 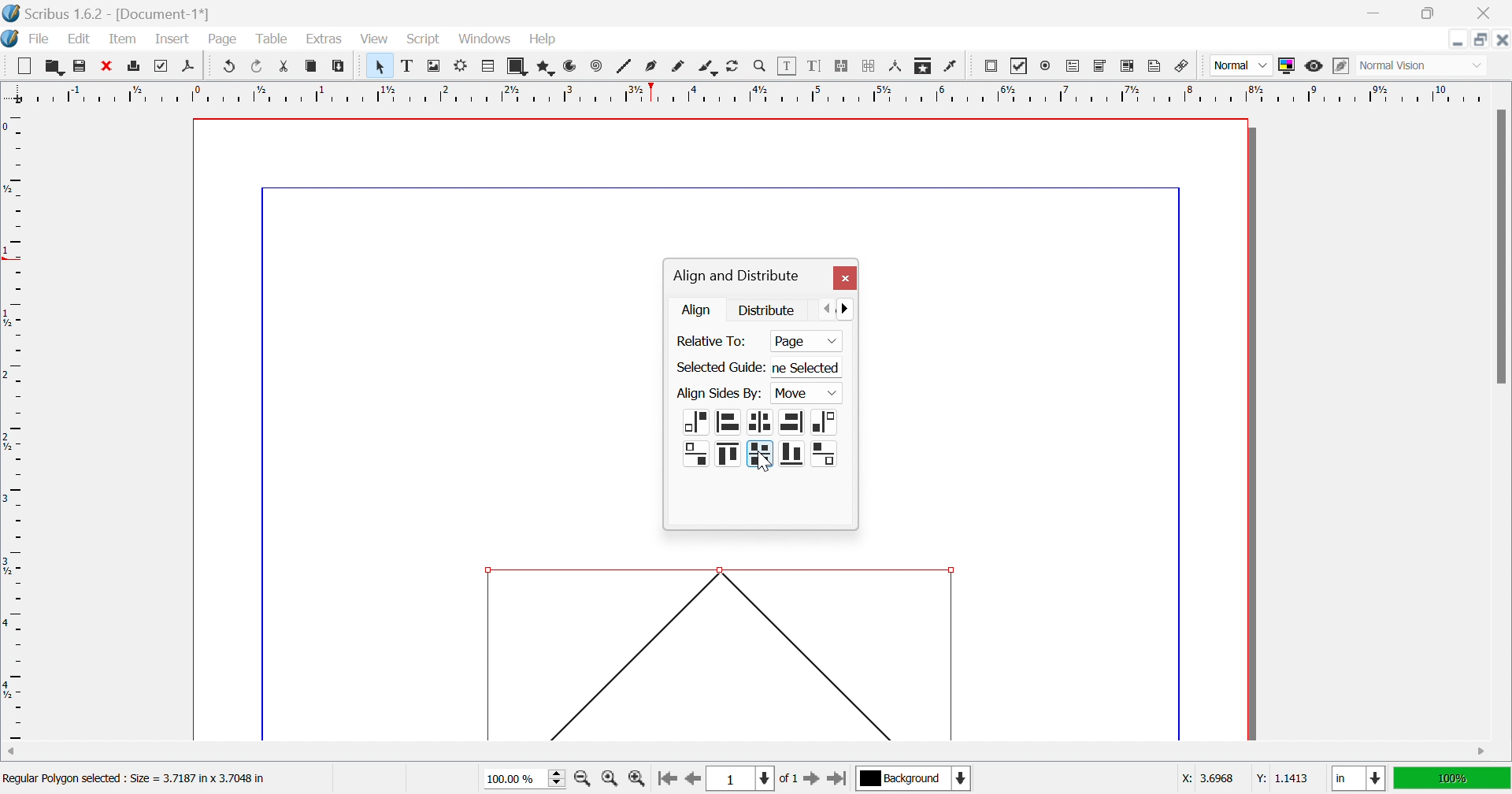 I want to click on Extras, so click(x=324, y=39).